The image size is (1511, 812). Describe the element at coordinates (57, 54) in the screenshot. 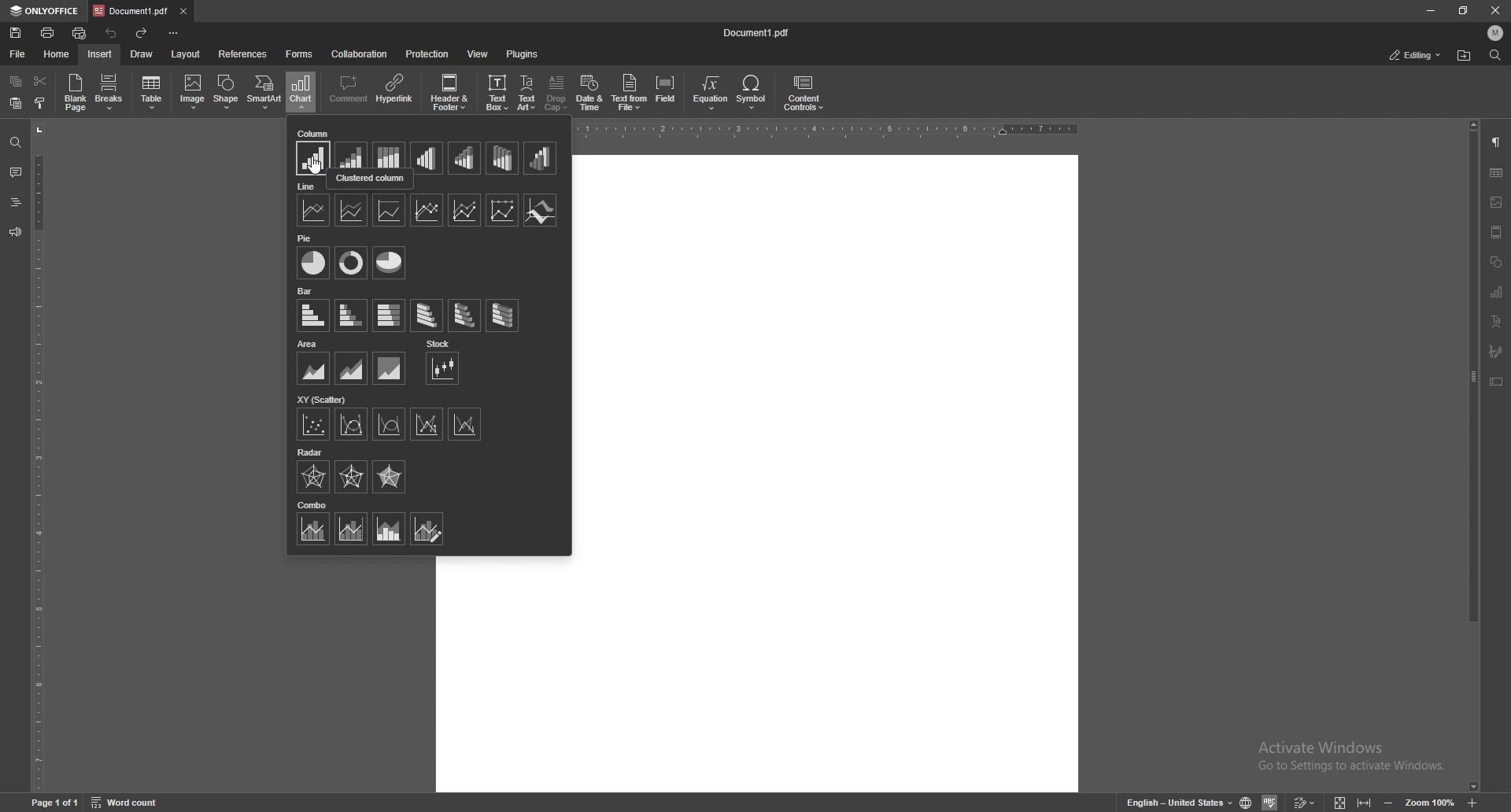

I see `home` at that location.